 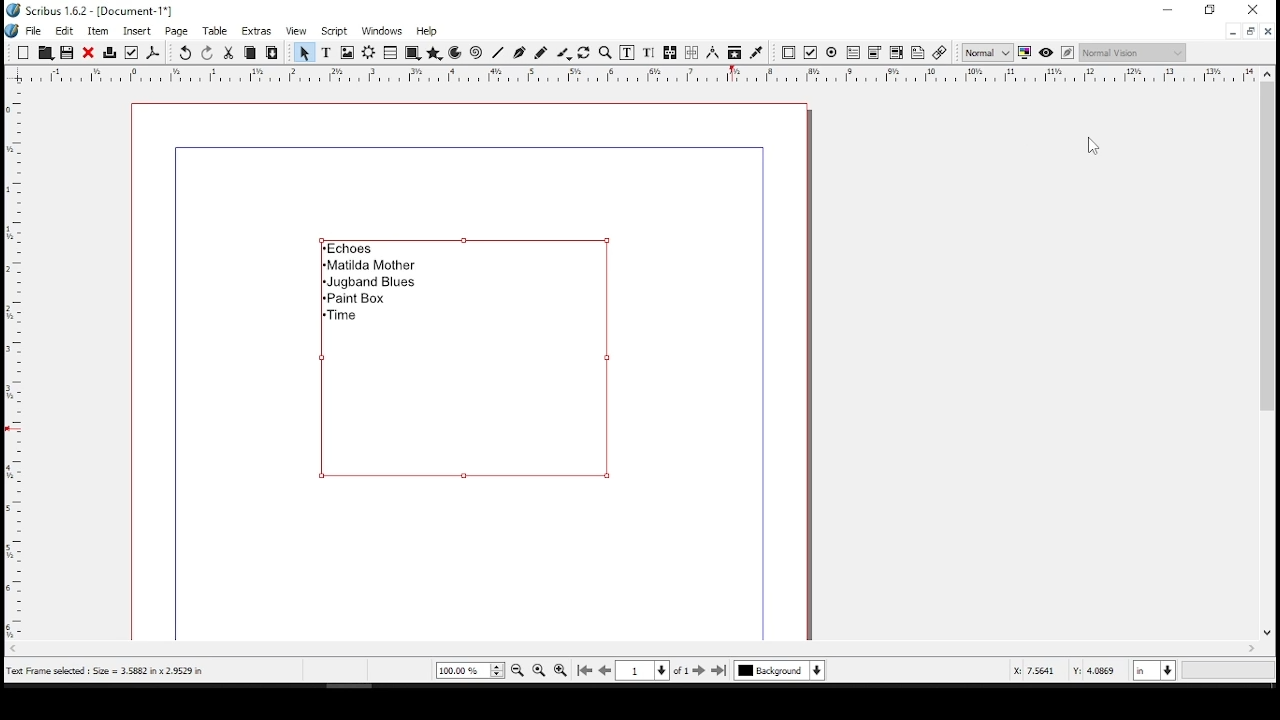 I want to click on copy item properties, so click(x=732, y=52).